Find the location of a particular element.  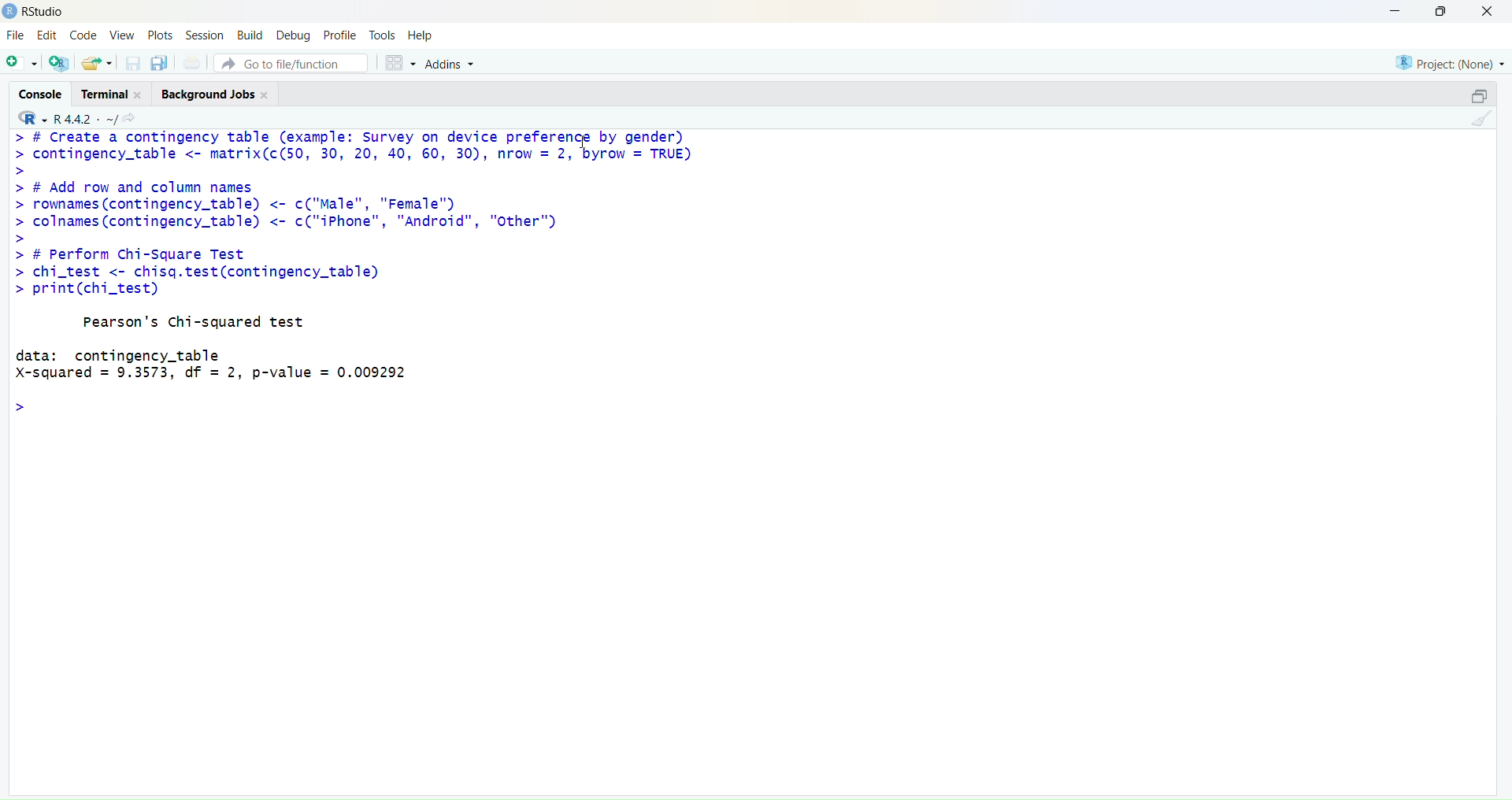

> is located at coordinates (22, 239).